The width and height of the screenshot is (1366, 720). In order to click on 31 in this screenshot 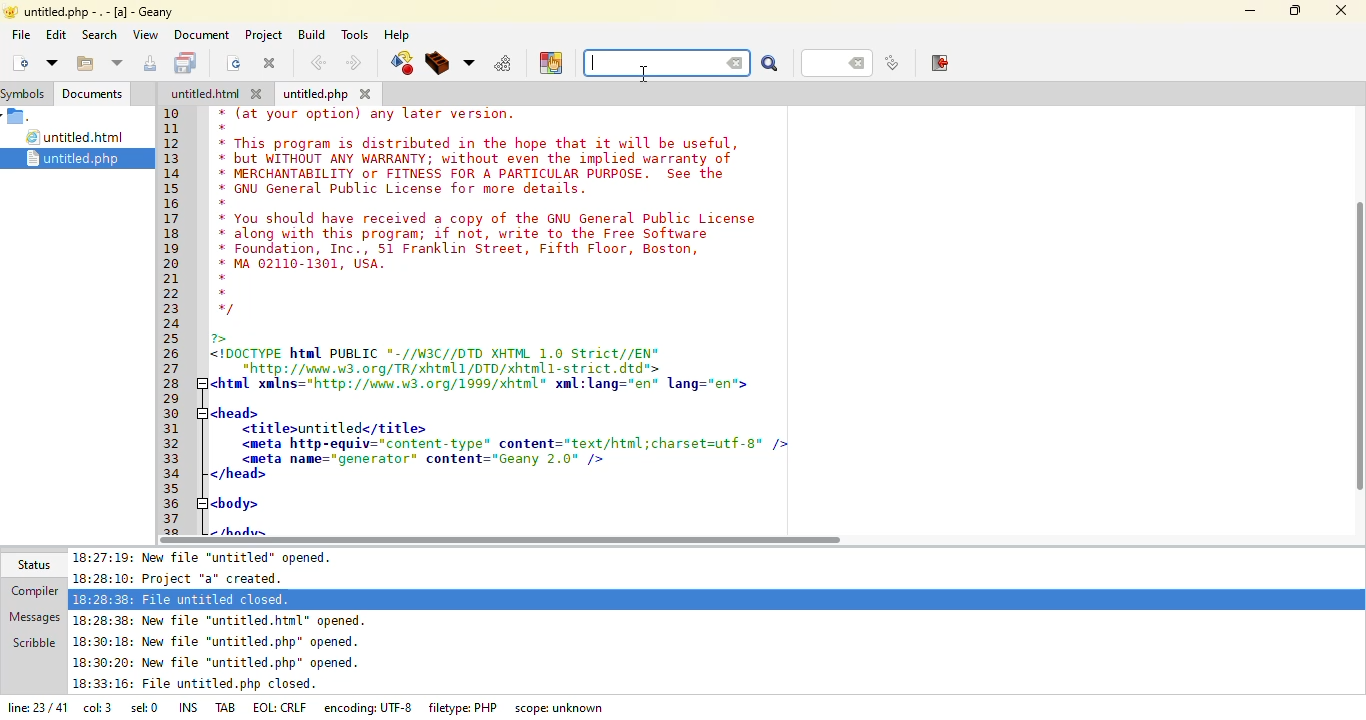, I will do `click(176, 429)`.